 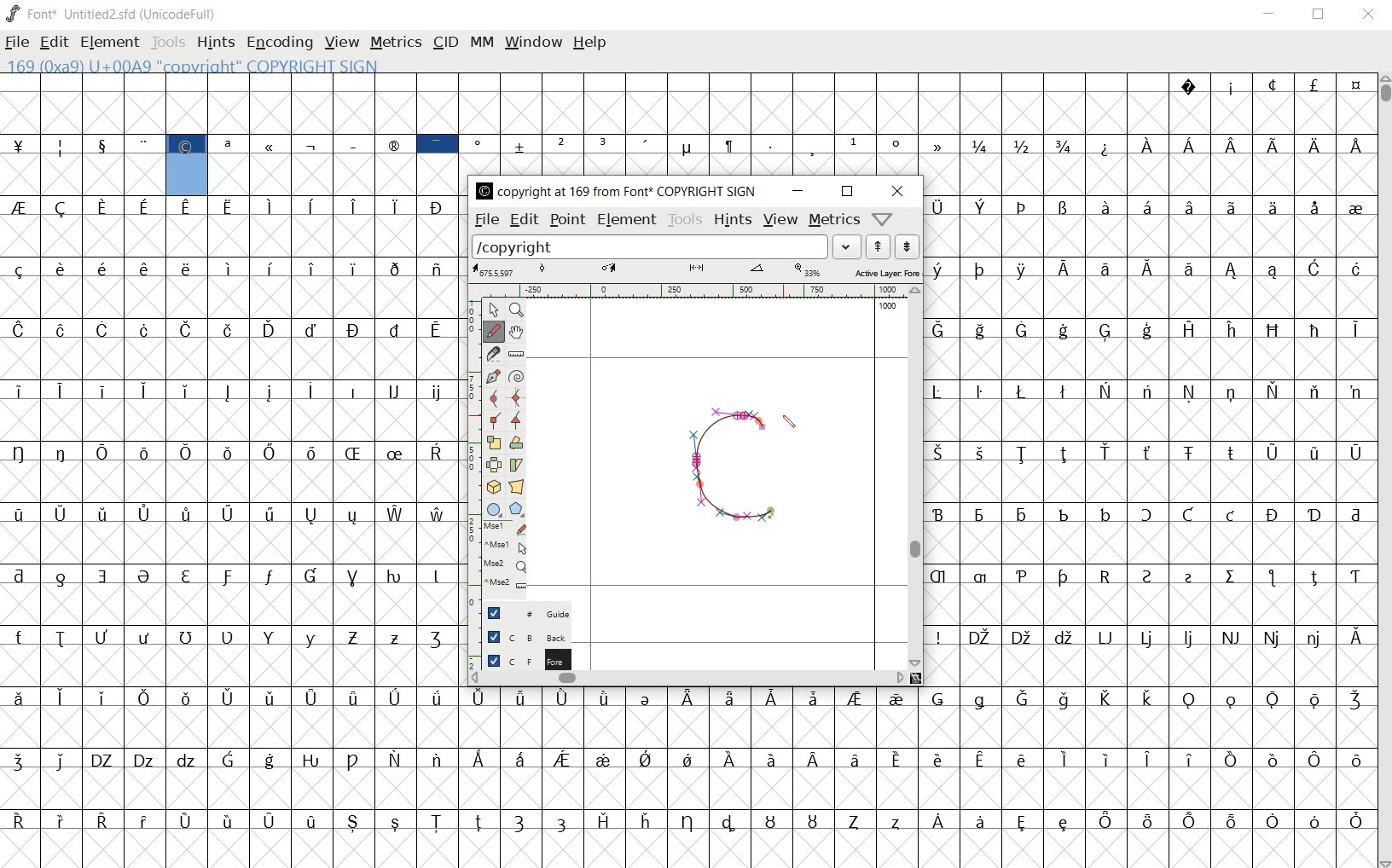 What do you see at coordinates (494, 508) in the screenshot?
I see `rectangle or ellipse` at bounding box center [494, 508].